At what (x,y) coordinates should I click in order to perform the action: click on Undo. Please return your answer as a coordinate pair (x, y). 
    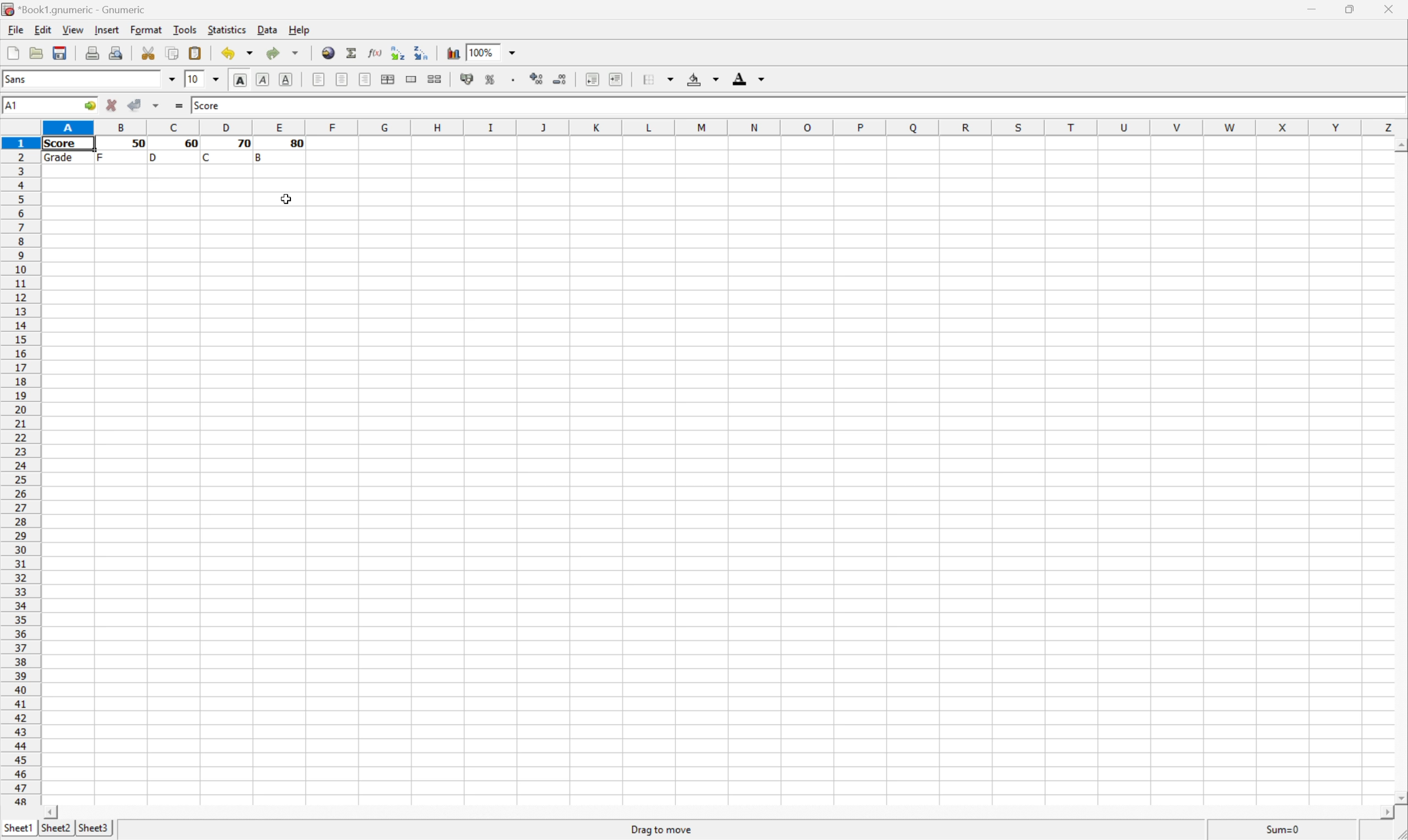
    Looking at the image, I should click on (235, 53).